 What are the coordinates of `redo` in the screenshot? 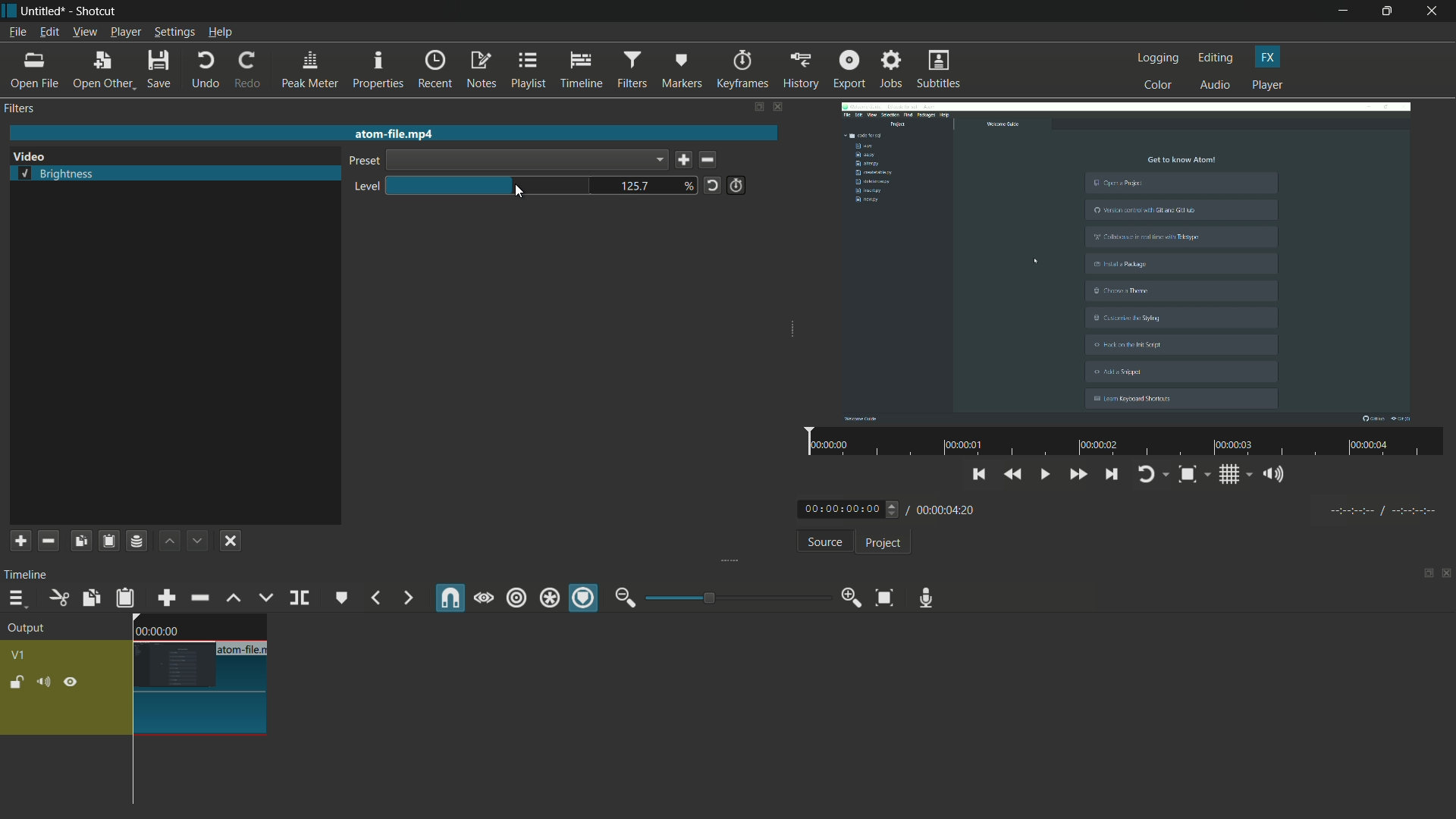 It's located at (246, 70).